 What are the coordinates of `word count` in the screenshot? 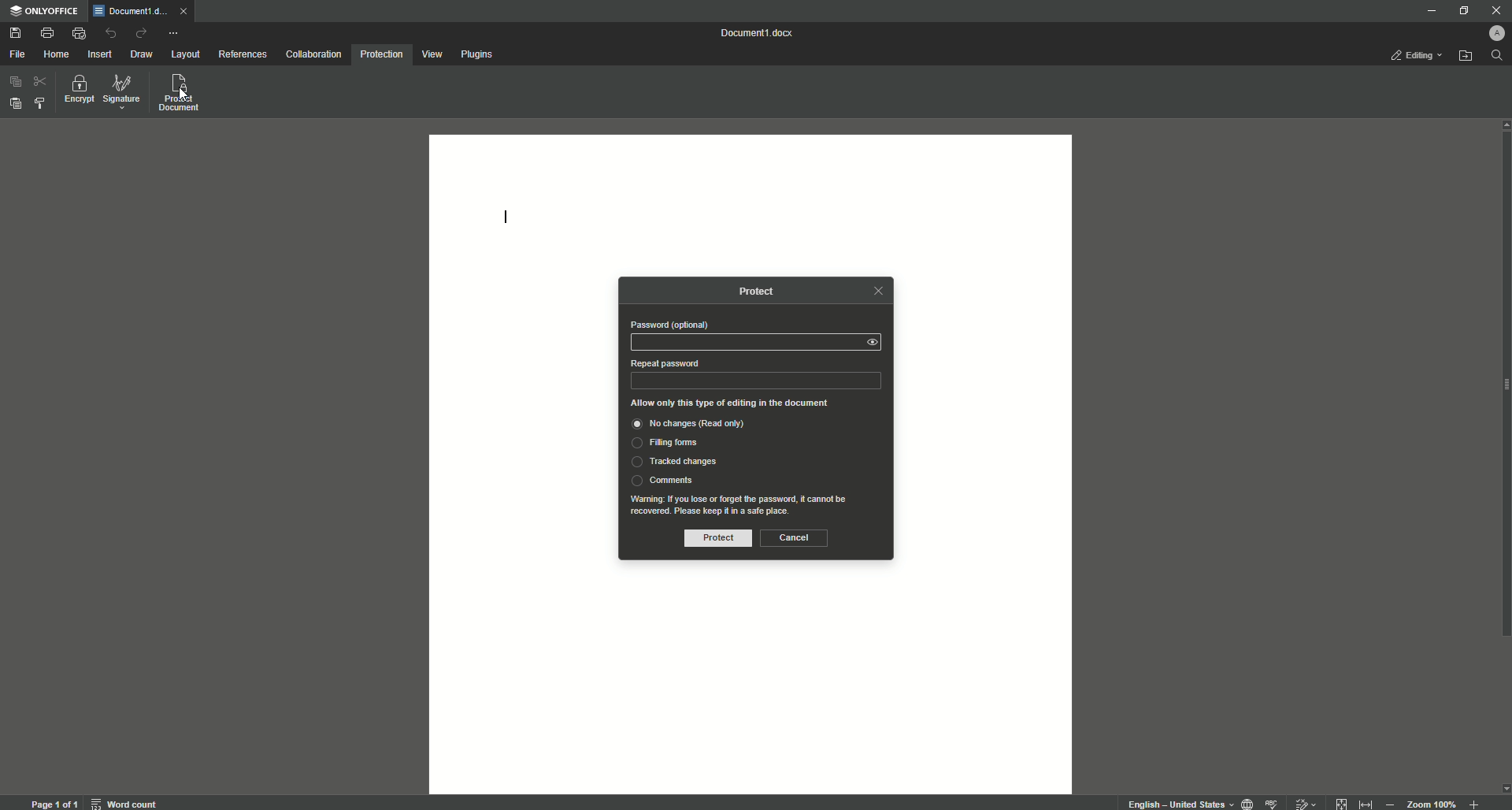 It's located at (128, 801).